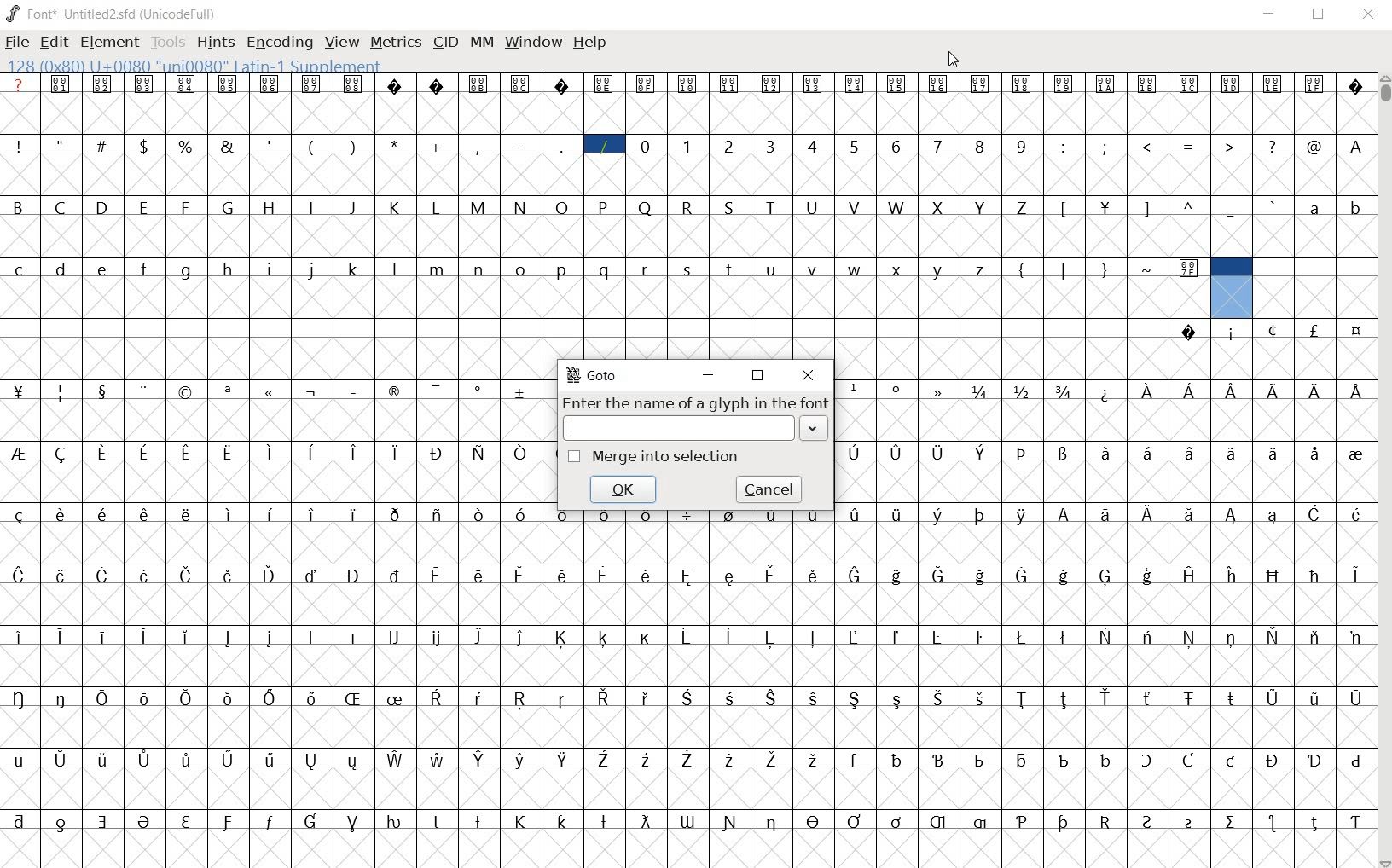 The height and width of the screenshot is (868, 1392). I want to click on Symbol, so click(354, 575).